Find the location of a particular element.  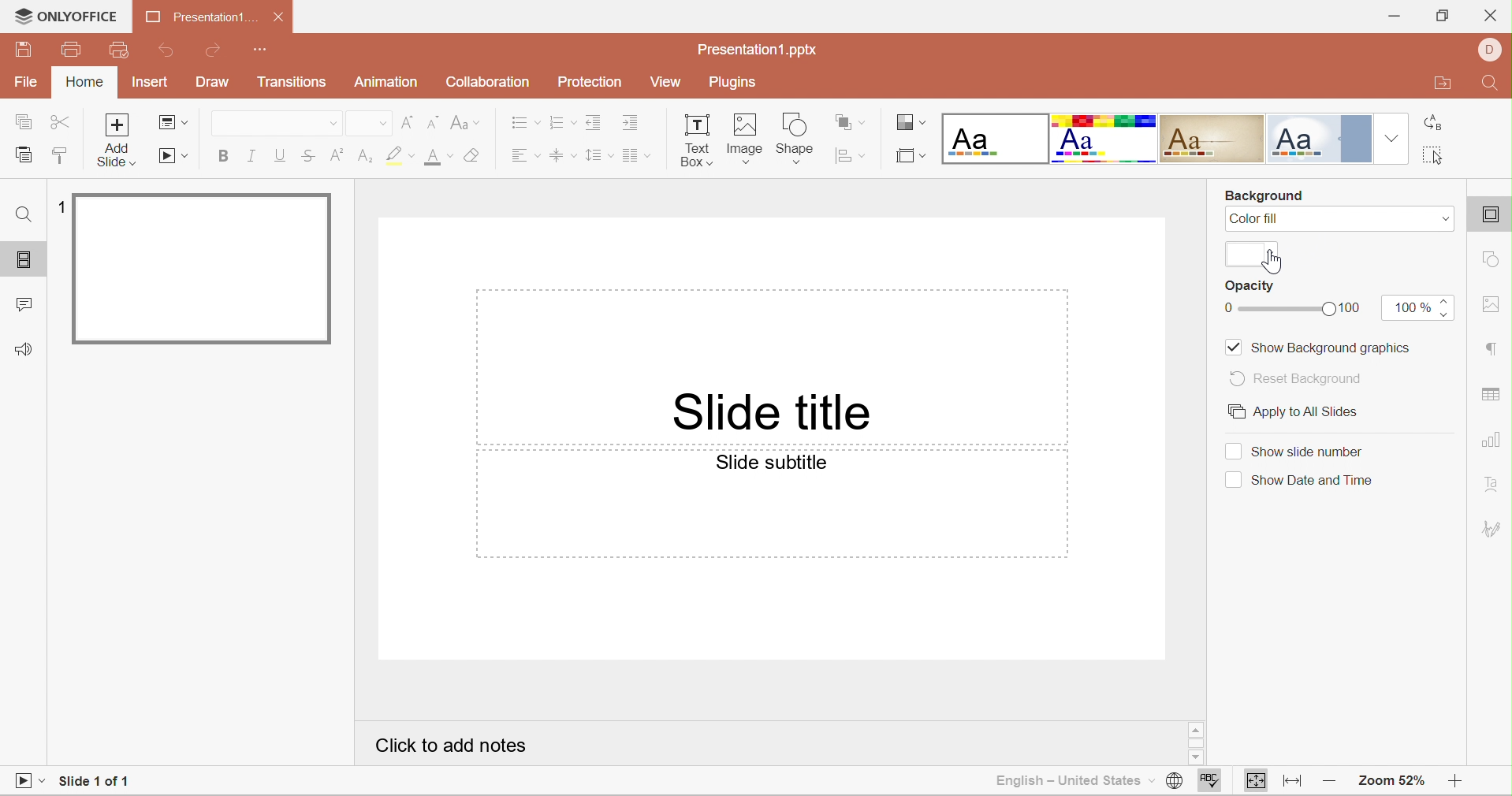

Zoom out is located at coordinates (1331, 783).